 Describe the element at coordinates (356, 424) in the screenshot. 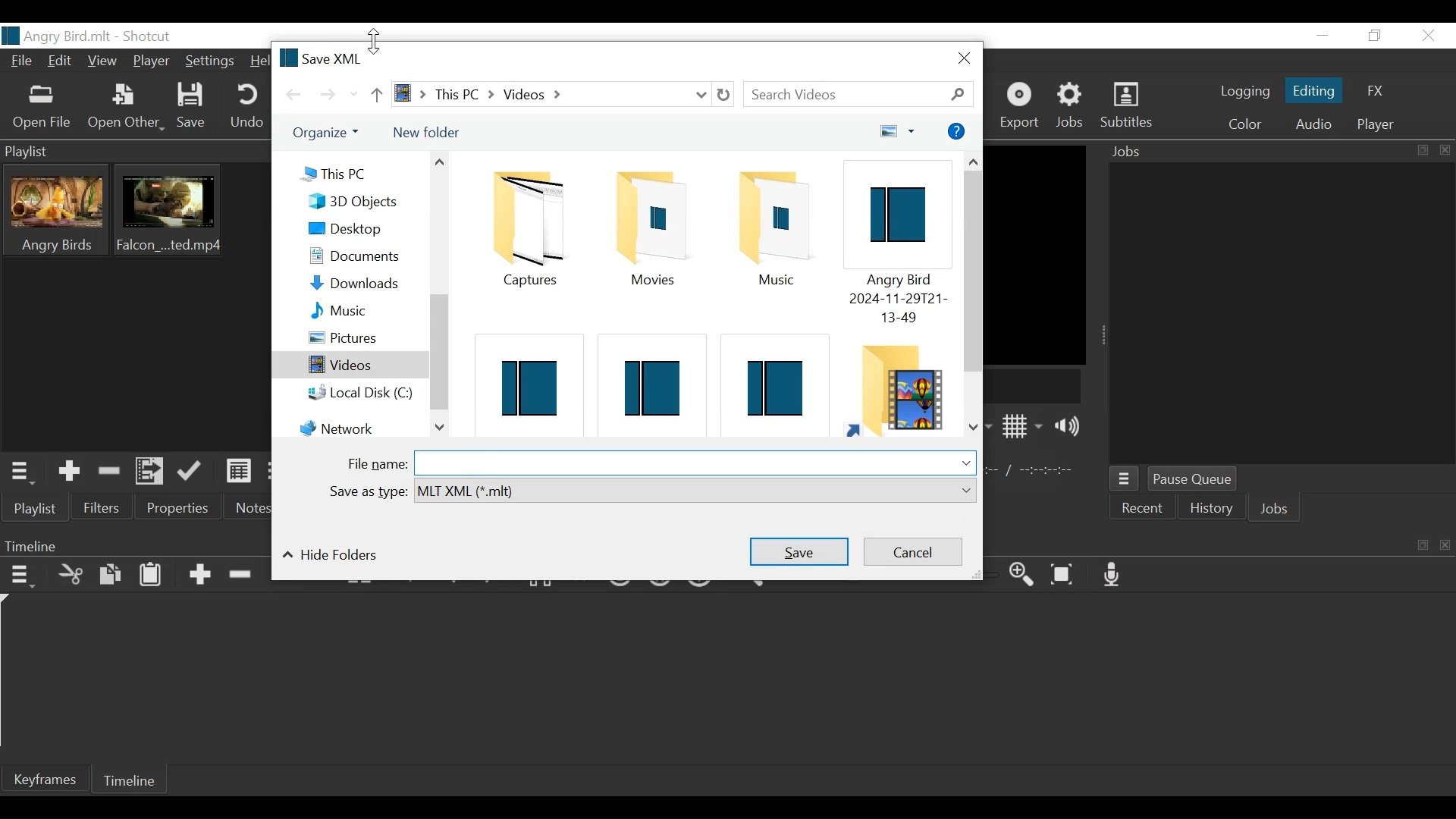

I see `Network` at that location.